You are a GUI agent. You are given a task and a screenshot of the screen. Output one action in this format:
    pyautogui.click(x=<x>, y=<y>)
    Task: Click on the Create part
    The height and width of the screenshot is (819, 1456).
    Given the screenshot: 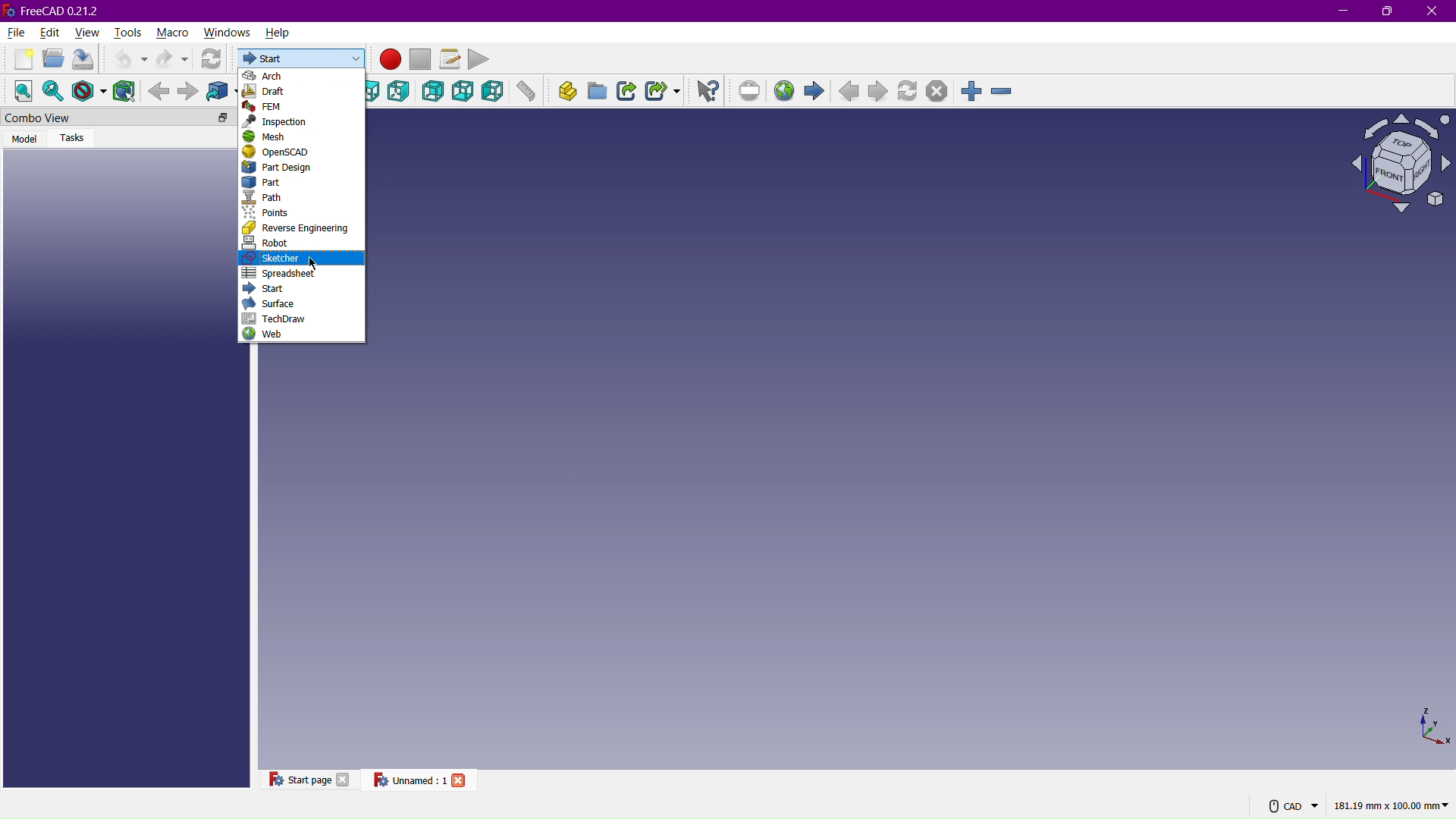 What is the action you would take?
    pyautogui.click(x=567, y=90)
    